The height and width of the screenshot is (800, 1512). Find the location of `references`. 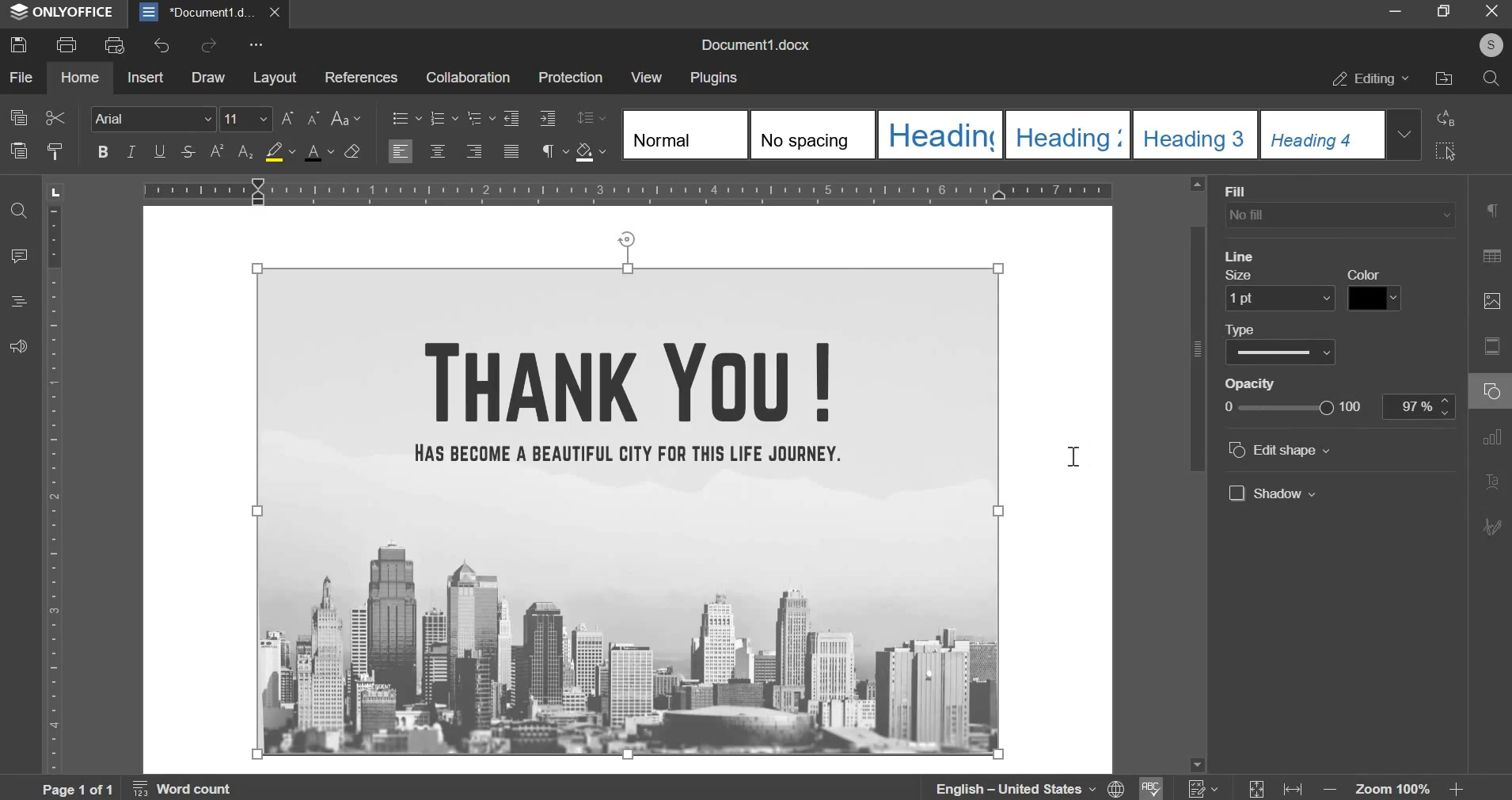

references is located at coordinates (360, 77).